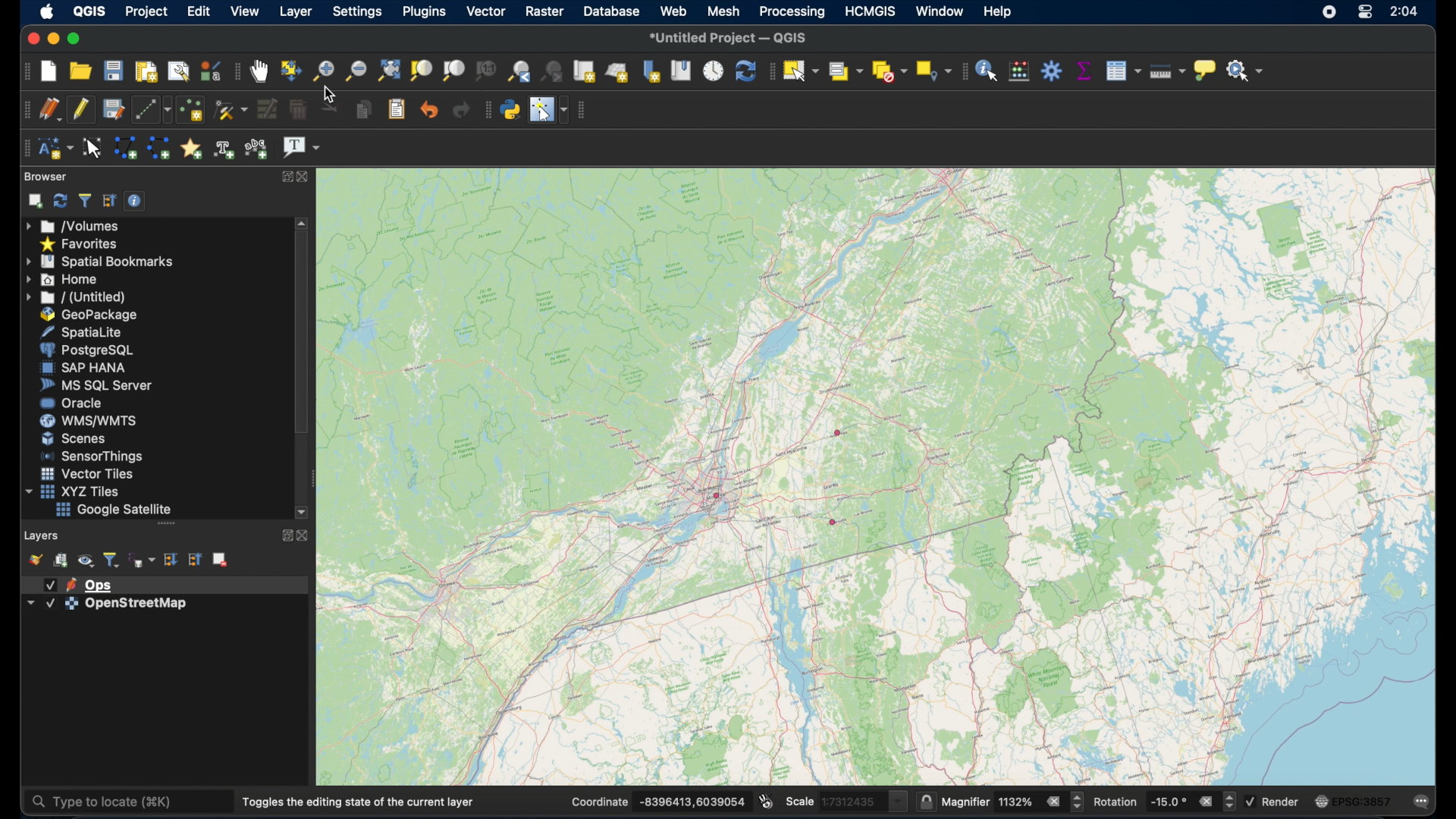 This screenshot has height=819, width=1456. Describe the element at coordinates (772, 510) in the screenshot. I see `open street map` at that location.